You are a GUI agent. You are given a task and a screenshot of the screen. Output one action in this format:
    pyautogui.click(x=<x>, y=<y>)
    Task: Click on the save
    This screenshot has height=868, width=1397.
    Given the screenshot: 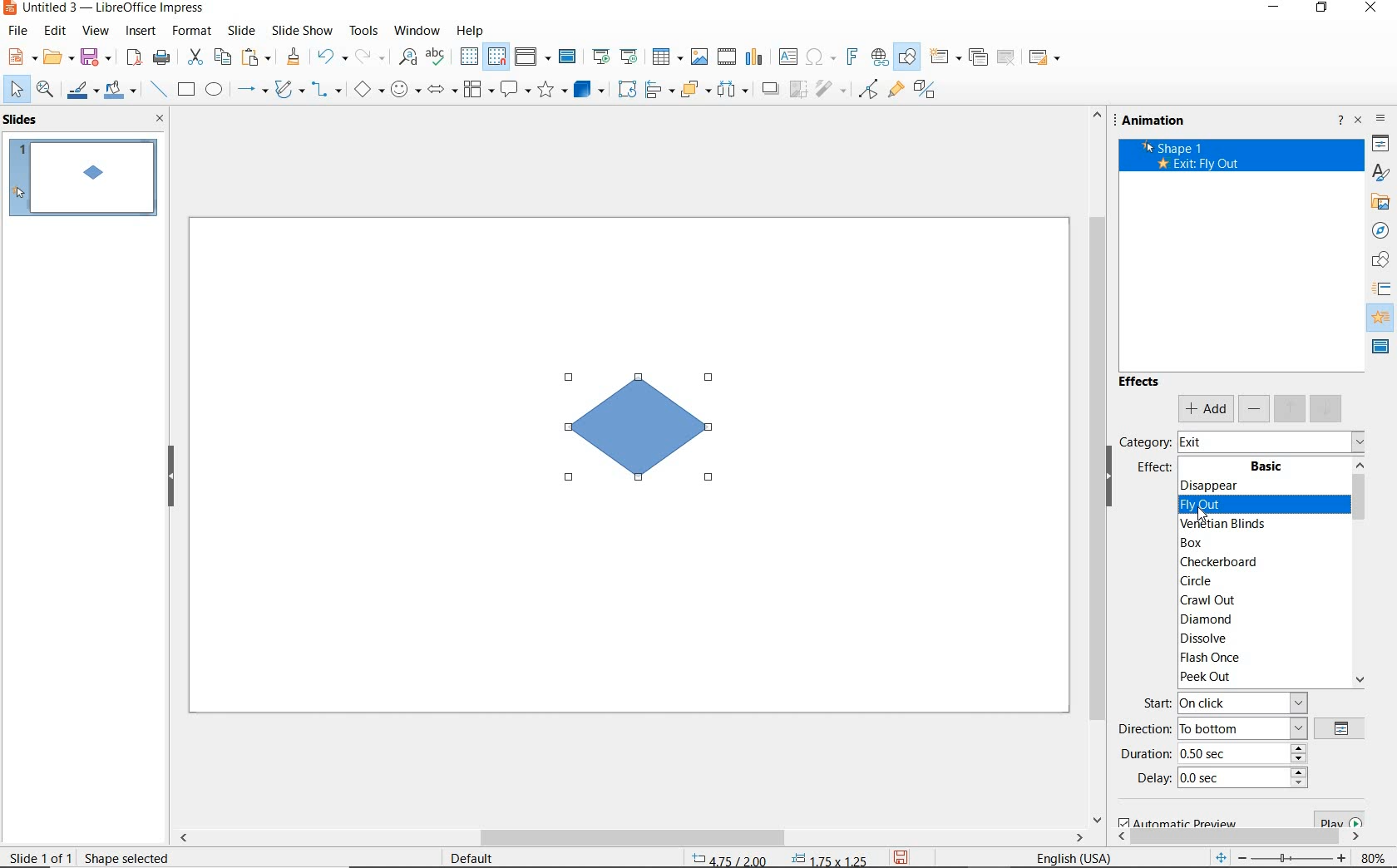 What is the action you would take?
    pyautogui.click(x=903, y=857)
    